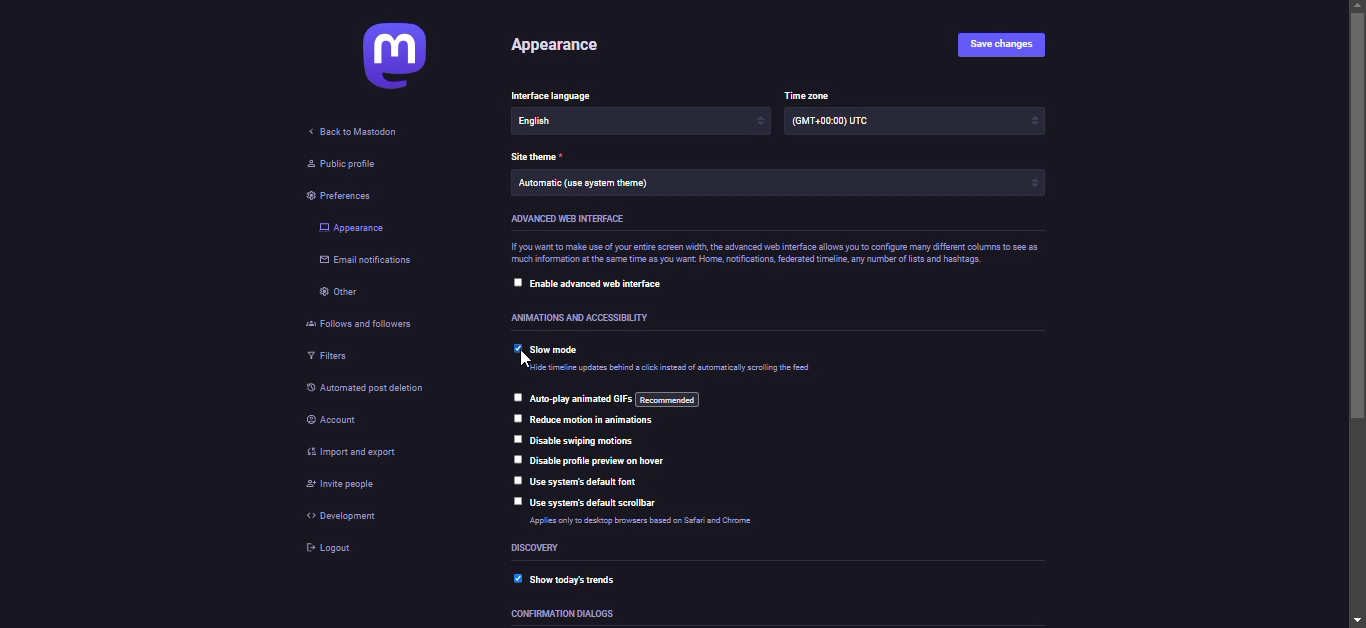 The image size is (1366, 628). I want to click on auto-play animated GIFs: recommended, so click(613, 400).